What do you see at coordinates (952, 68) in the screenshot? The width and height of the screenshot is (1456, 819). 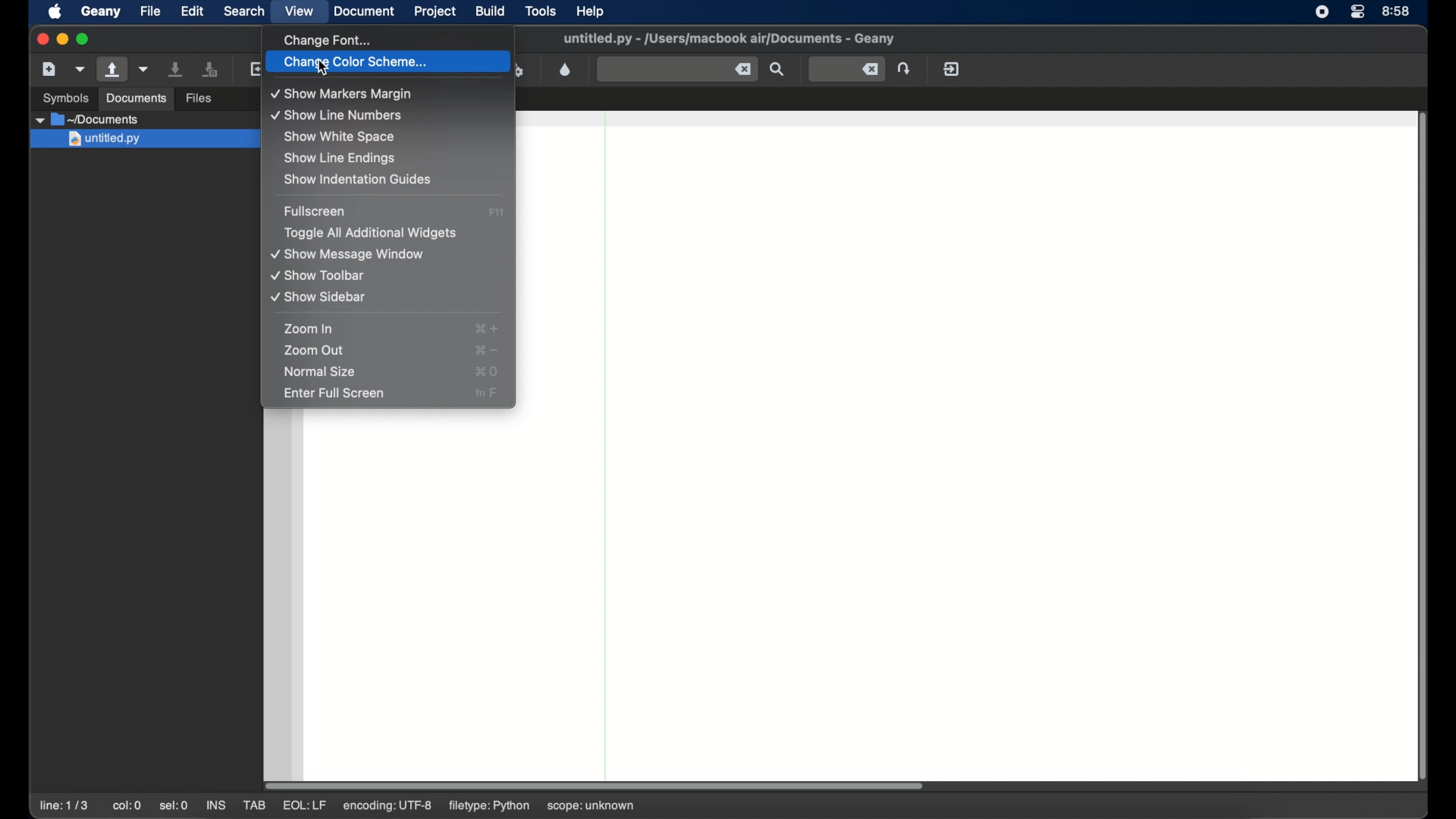 I see `quit geany` at bounding box center [952, 68].